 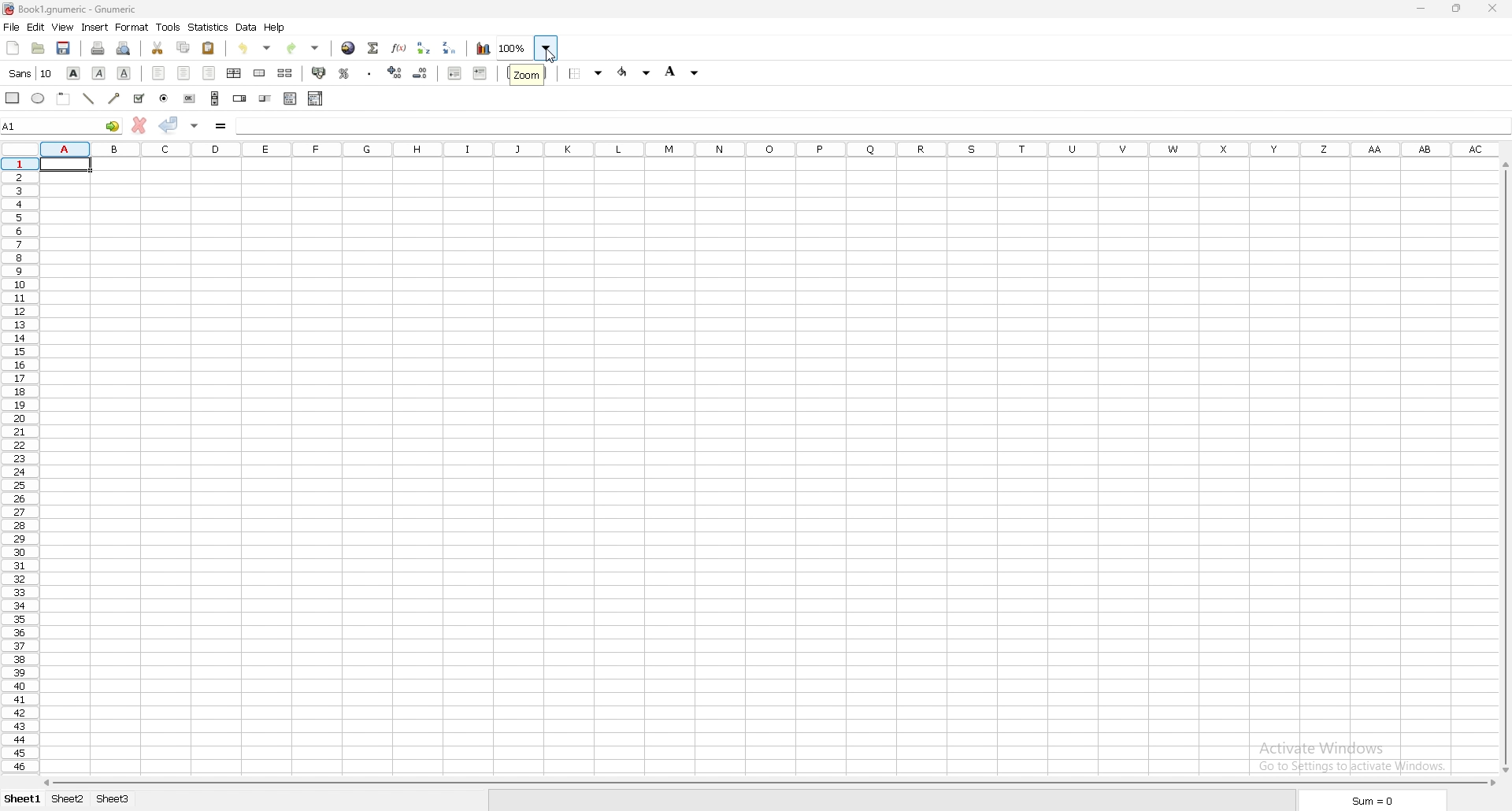 What do you see at coordinates (265, 99) in the screenshot?
I see `slider` at bounding box center [265, 99].